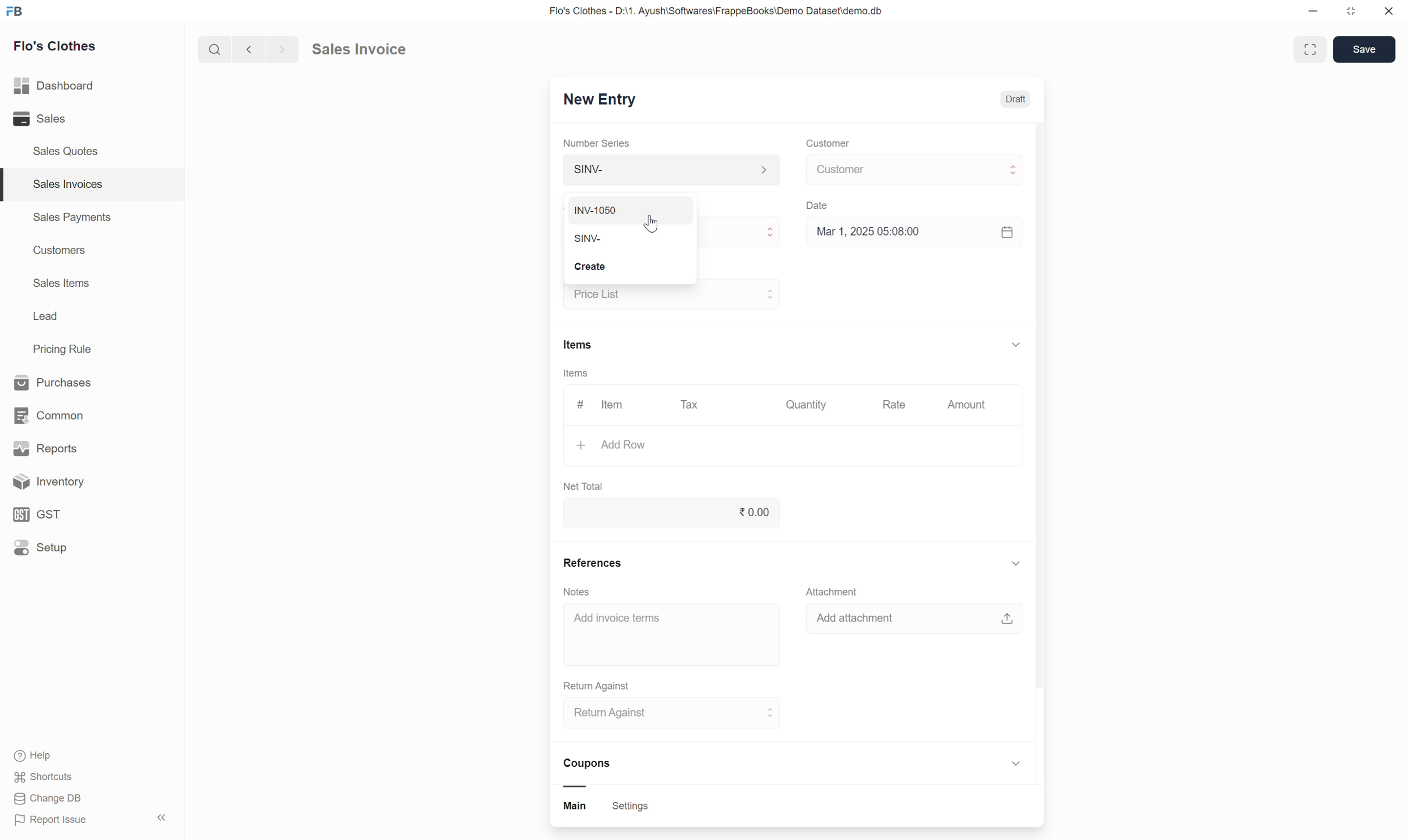  Describe the element at coordinates (896, 406) in the screenshot. I see `Rate` at that location.